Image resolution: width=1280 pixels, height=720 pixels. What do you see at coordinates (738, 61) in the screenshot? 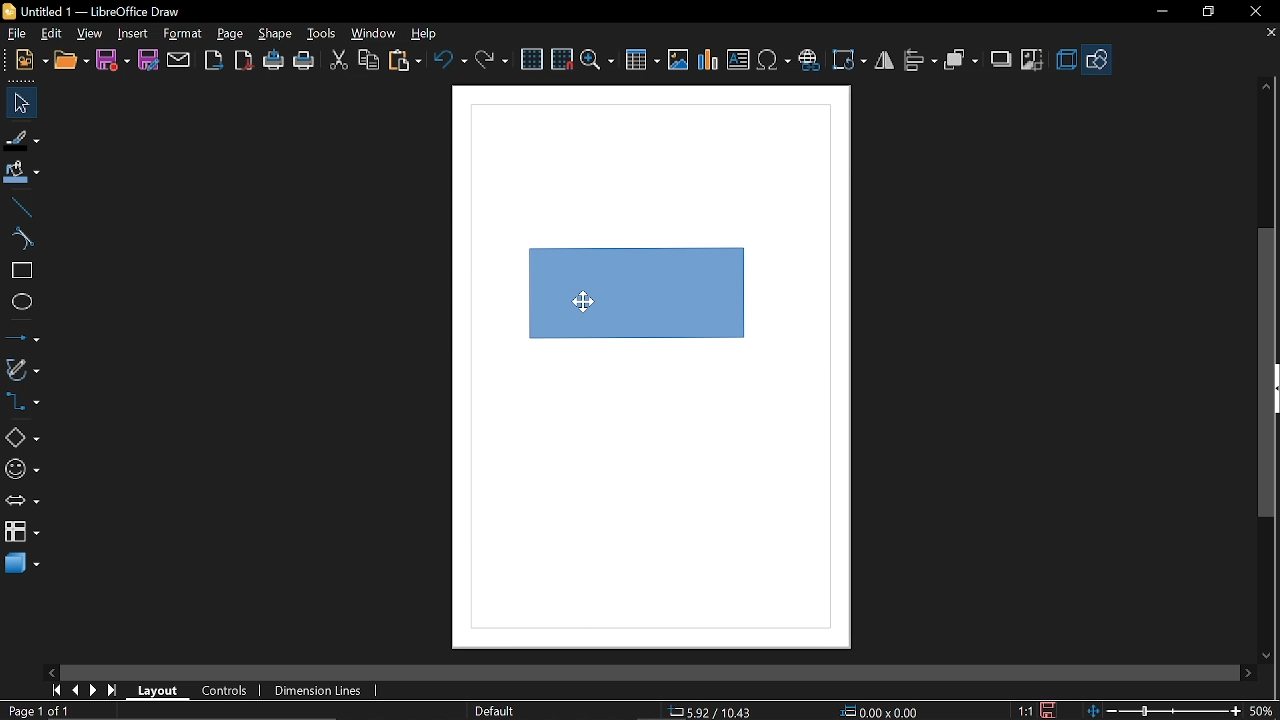
I see `insert text` at bounding box center [738, 61].